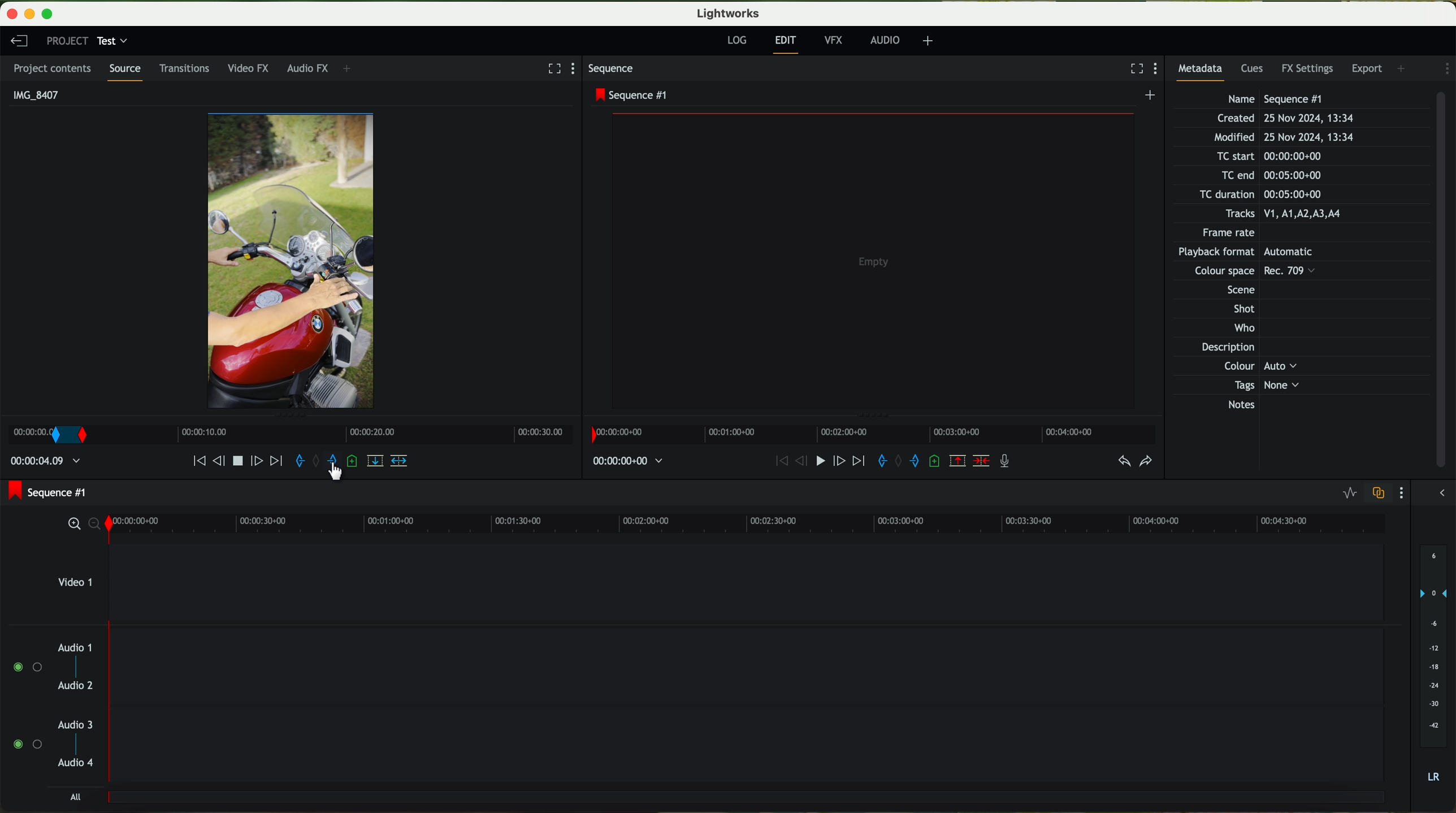  Describe the element at coordinates (400, 460) in the screenshot. I see `insert into the target sequence` at that location.